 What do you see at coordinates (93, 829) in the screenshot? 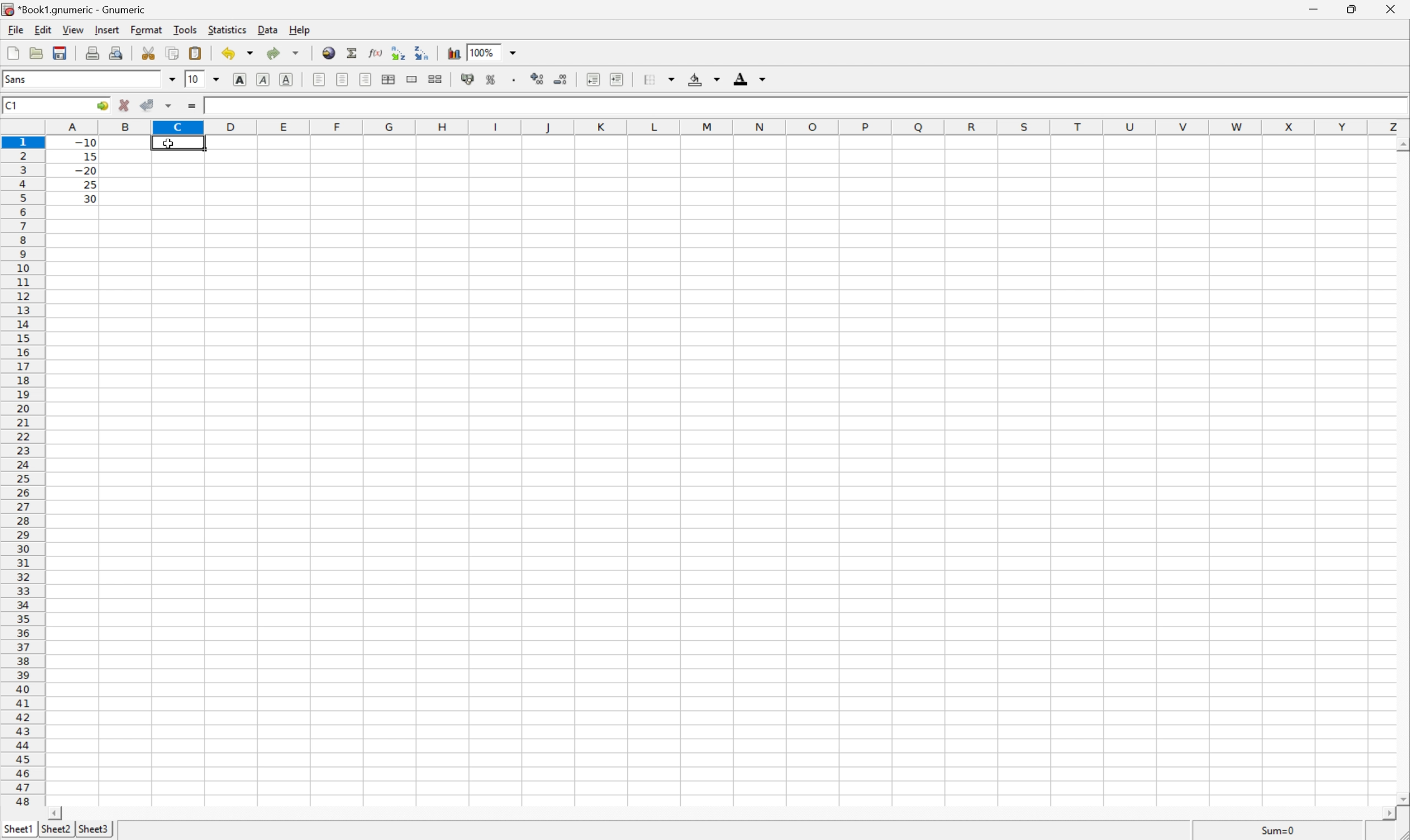
I see `Shee3` at bounding box center [93, 829].